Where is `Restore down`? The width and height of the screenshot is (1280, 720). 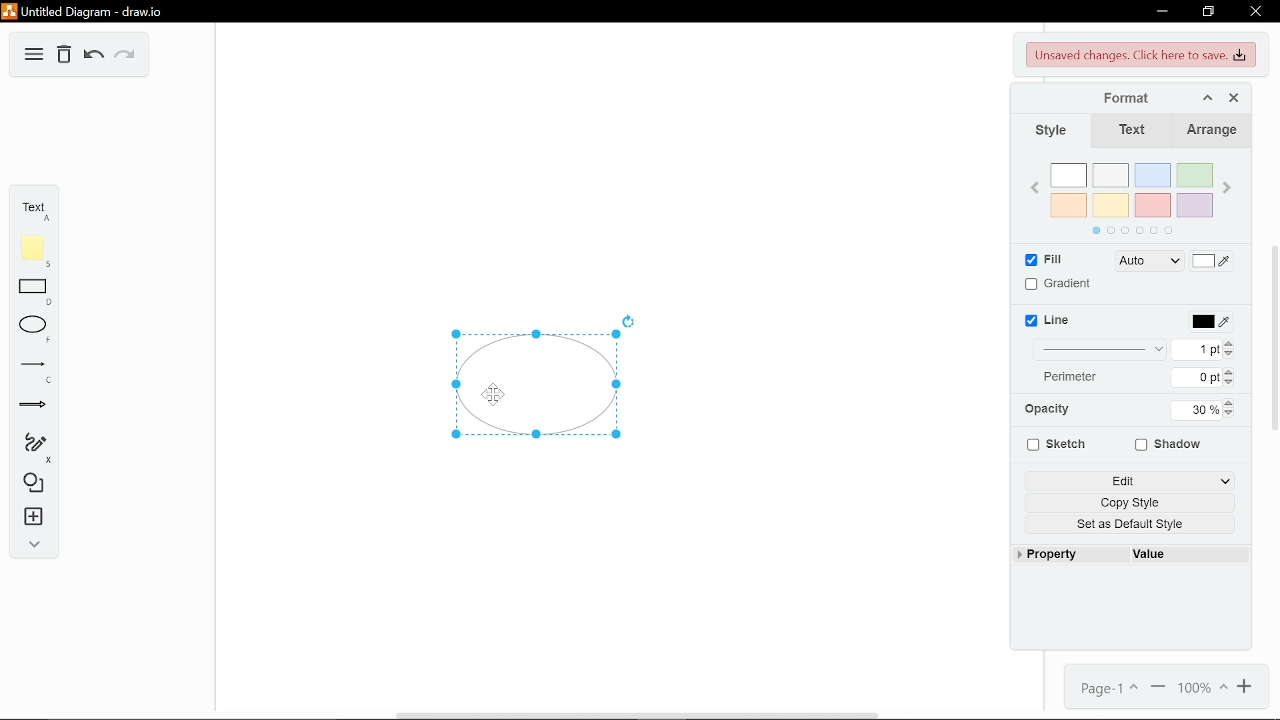
Restore down is located at coordinates (1210, 12).